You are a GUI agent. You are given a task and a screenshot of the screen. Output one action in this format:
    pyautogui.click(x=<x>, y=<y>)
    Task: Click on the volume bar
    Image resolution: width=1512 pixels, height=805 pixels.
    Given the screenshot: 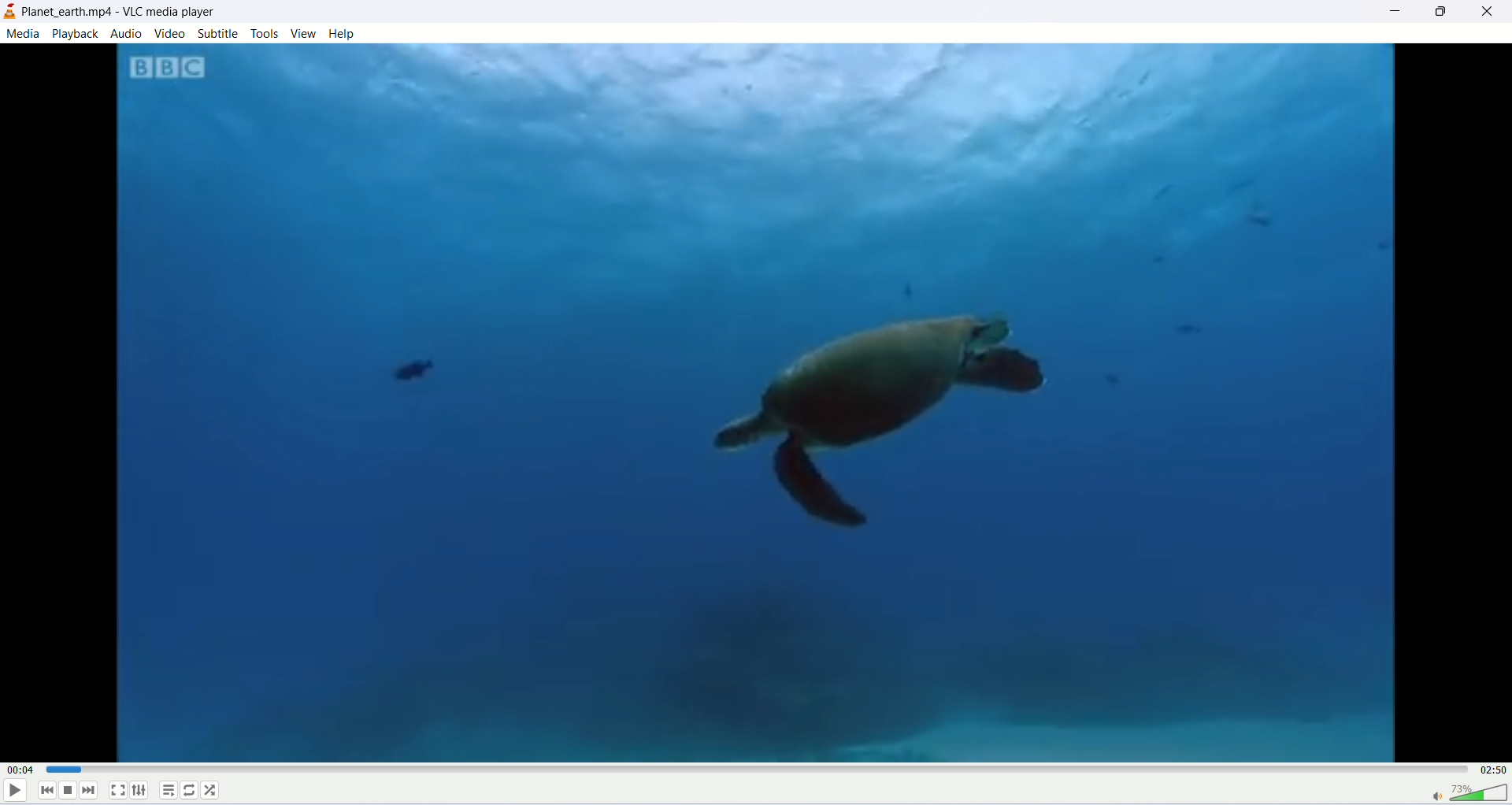 What is the action you would take?
    pyautogui.click(x=1469, y=791)
    